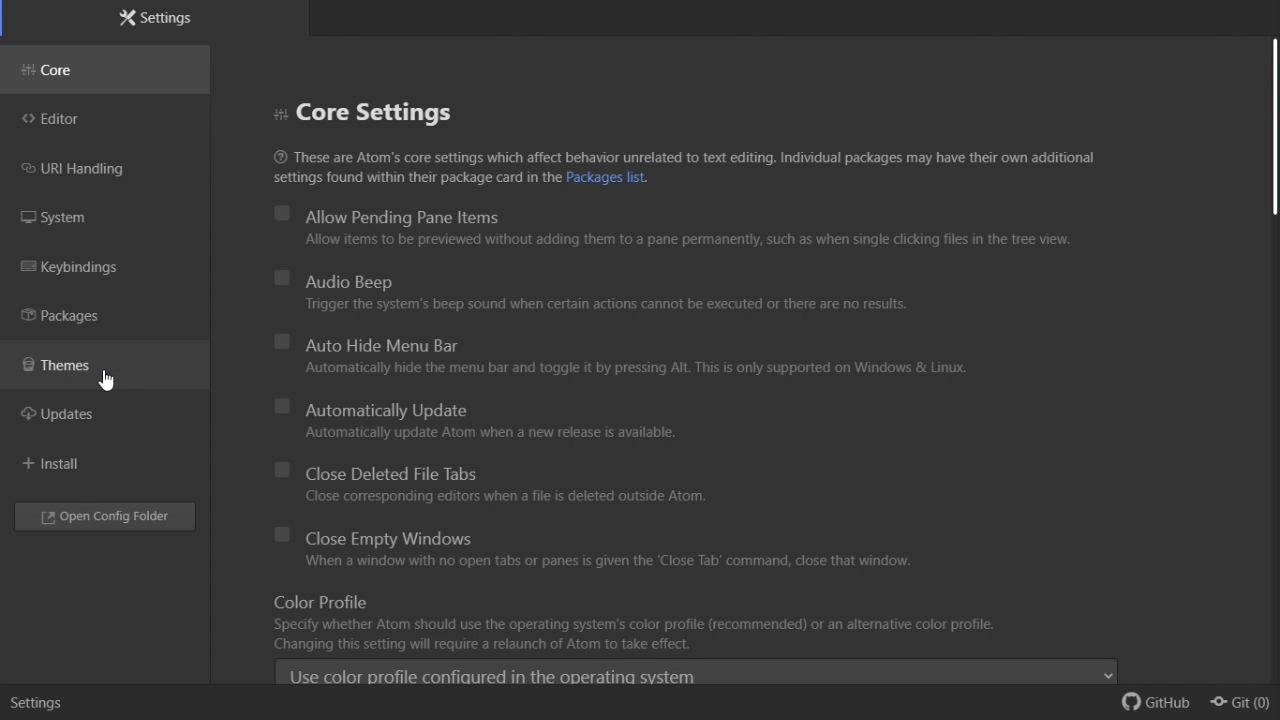 This screenshot has width=1280, height=720. I want to click on URI handling, so click(87, 172).